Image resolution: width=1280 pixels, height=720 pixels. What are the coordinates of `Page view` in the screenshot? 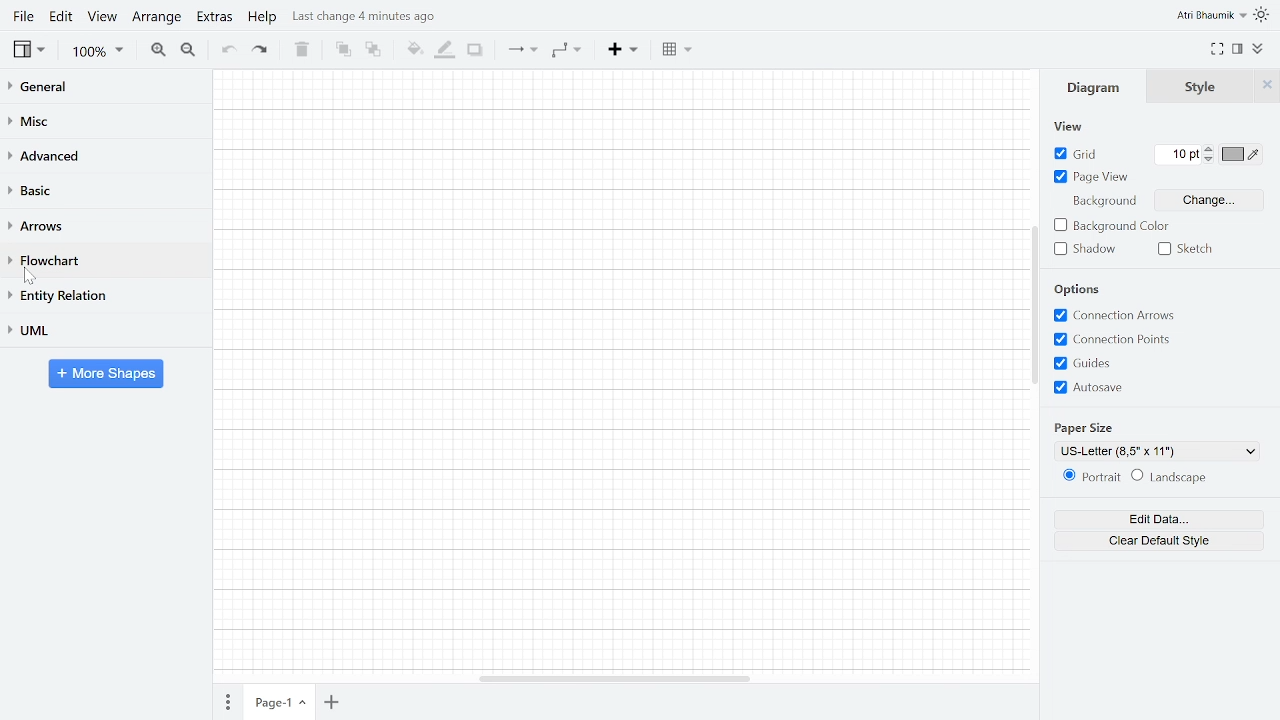 It's located at (1092, 177).